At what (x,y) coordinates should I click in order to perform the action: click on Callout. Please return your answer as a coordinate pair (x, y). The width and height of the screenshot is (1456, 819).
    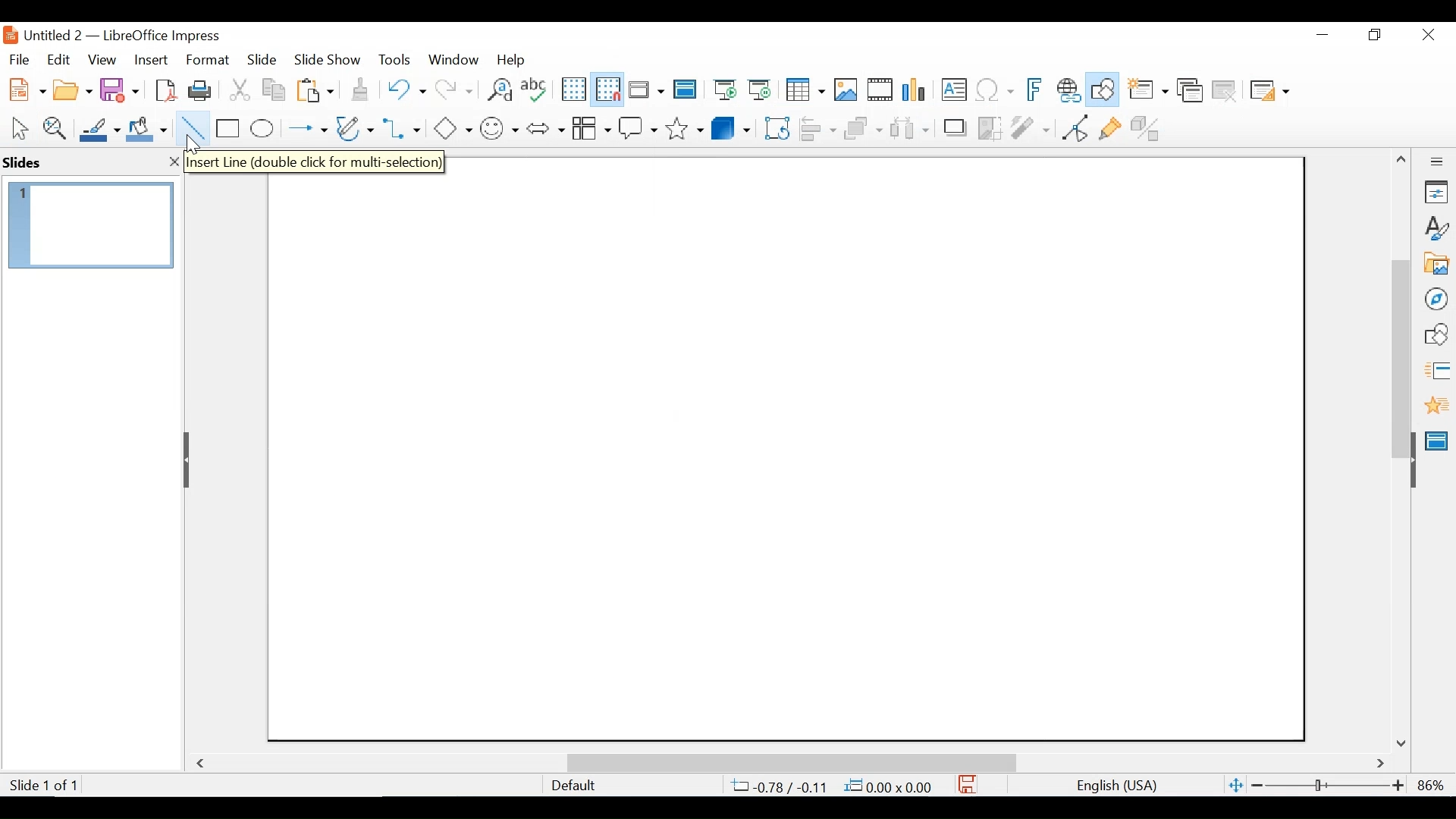
    Looking at the image, I should click on (638, 127).